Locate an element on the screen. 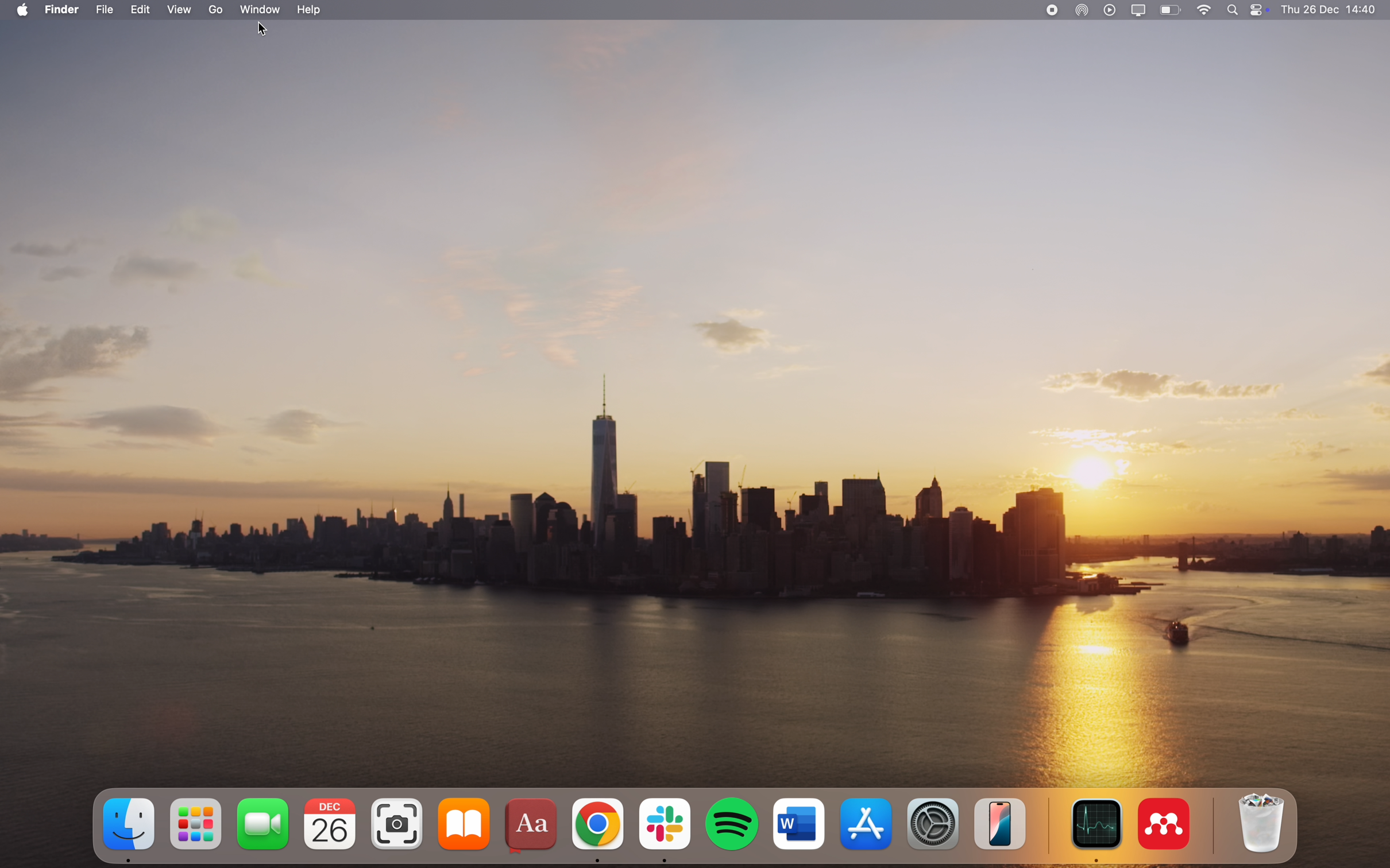 This screenshot has height=868, width=1390. Airdrop is located at coordinates (1083, 10).